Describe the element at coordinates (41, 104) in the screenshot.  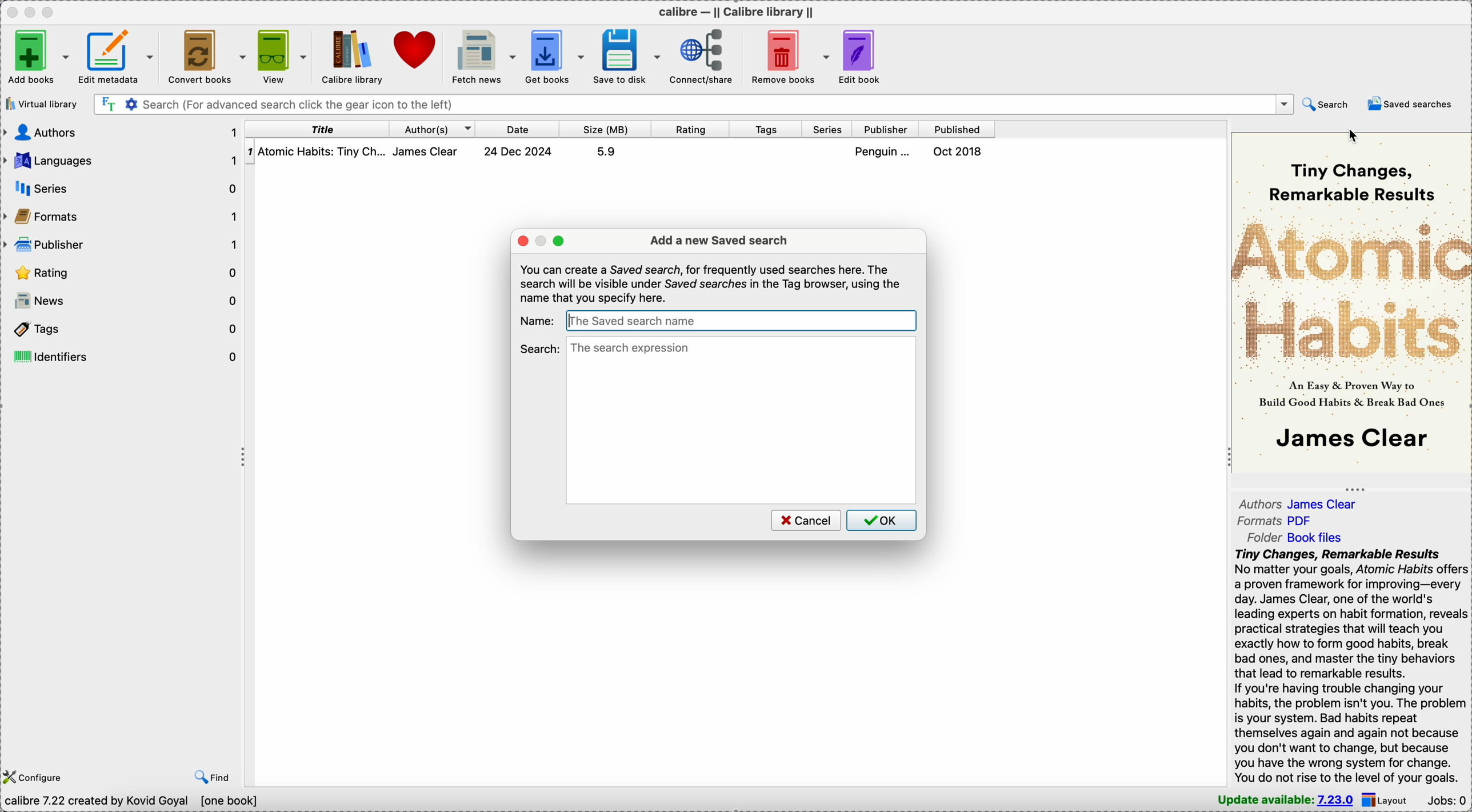
I see `virtual library` at that location.